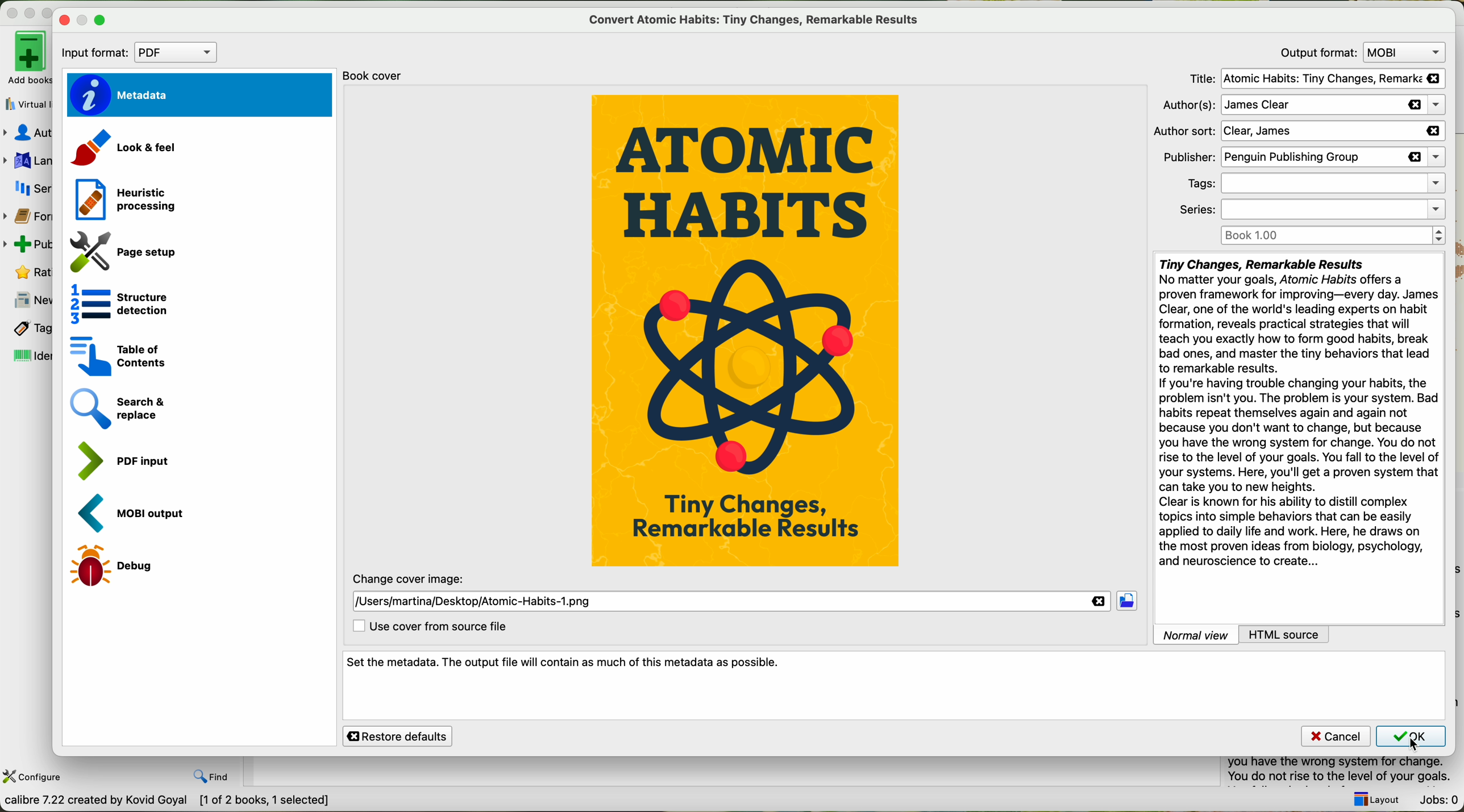  I want to click on metadata, so click(198, 94).